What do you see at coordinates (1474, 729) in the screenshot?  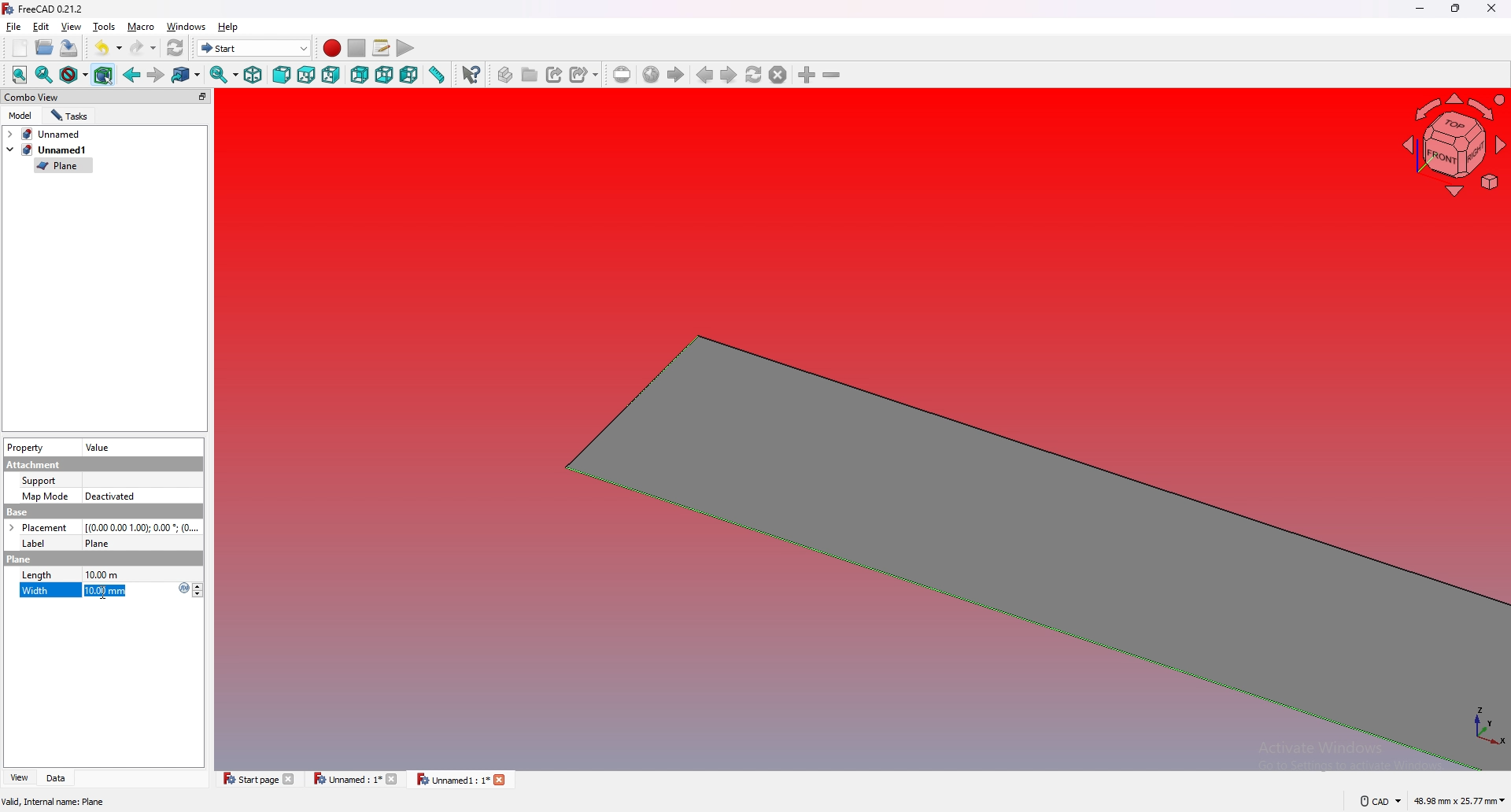 I see `xyz coordinates` at bounding box center [1474, 729].